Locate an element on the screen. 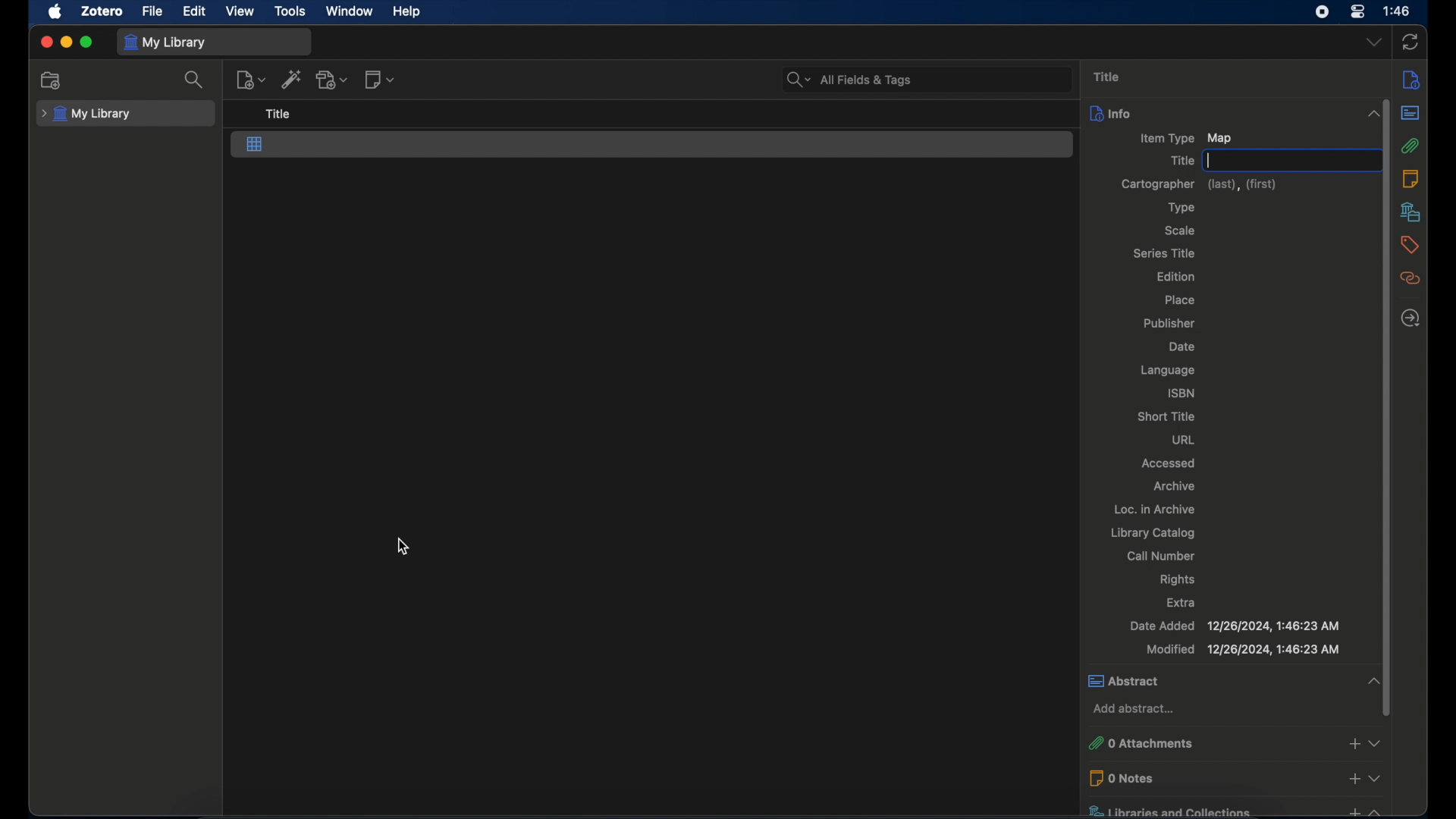 This screenshot has height=819, width=1456. sync is located at coordinates (1411, 42).